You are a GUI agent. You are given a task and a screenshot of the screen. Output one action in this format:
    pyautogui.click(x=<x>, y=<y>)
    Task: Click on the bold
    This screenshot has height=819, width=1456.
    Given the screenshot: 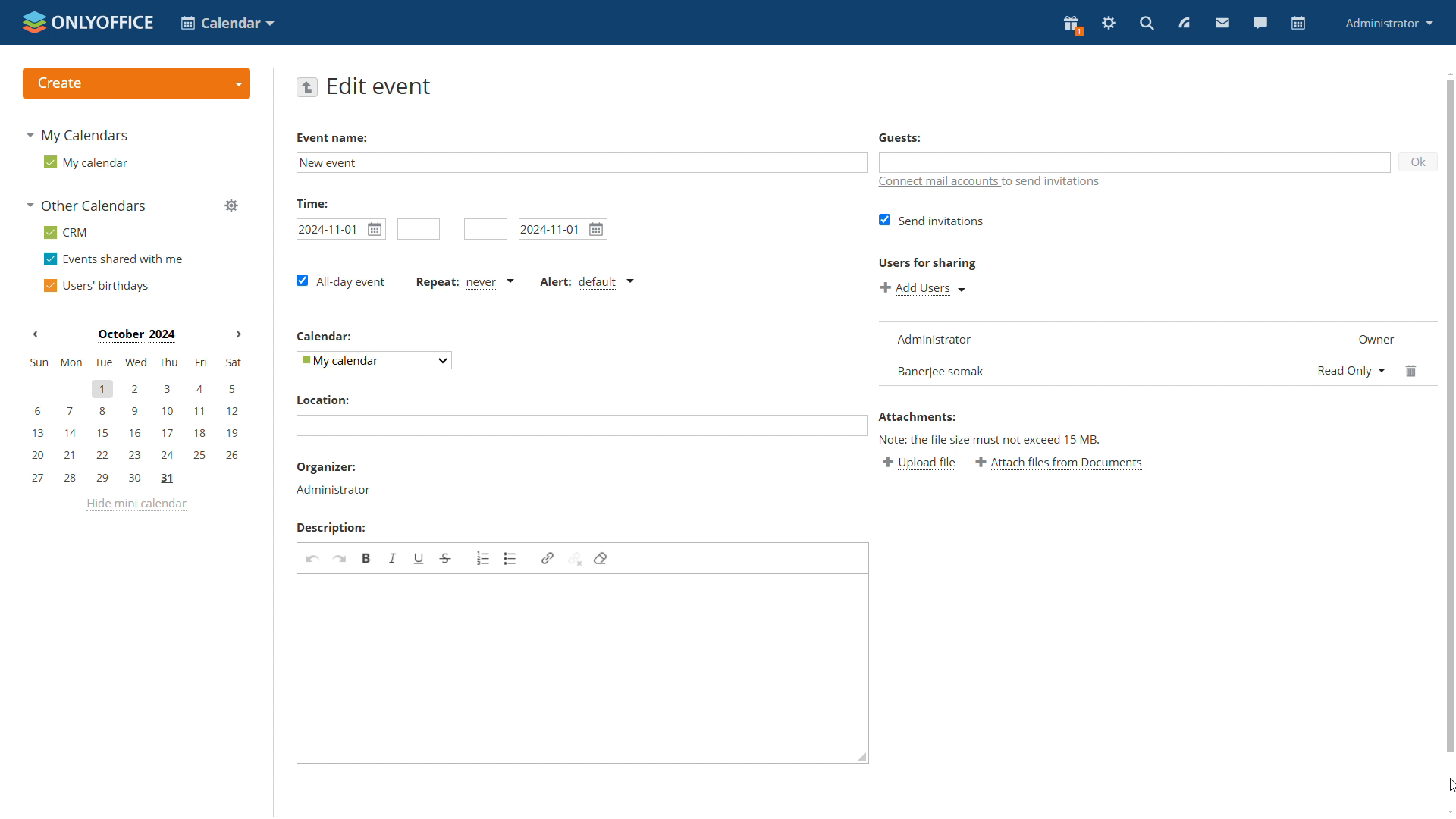 What is the action you would take?
    pyautogui.click(x=366, y=560)
    